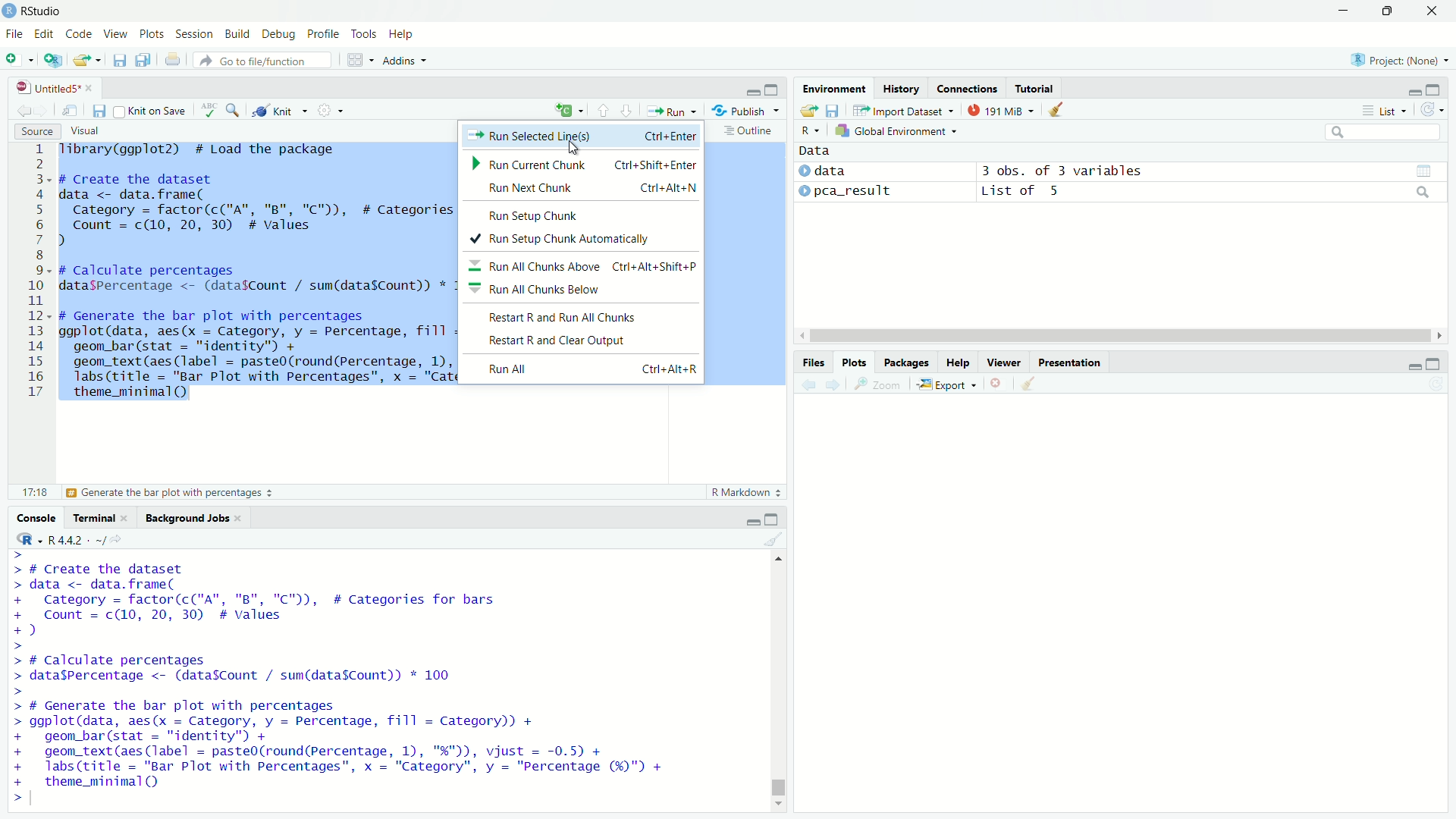  I want to click on Edit, so click(46, 35).